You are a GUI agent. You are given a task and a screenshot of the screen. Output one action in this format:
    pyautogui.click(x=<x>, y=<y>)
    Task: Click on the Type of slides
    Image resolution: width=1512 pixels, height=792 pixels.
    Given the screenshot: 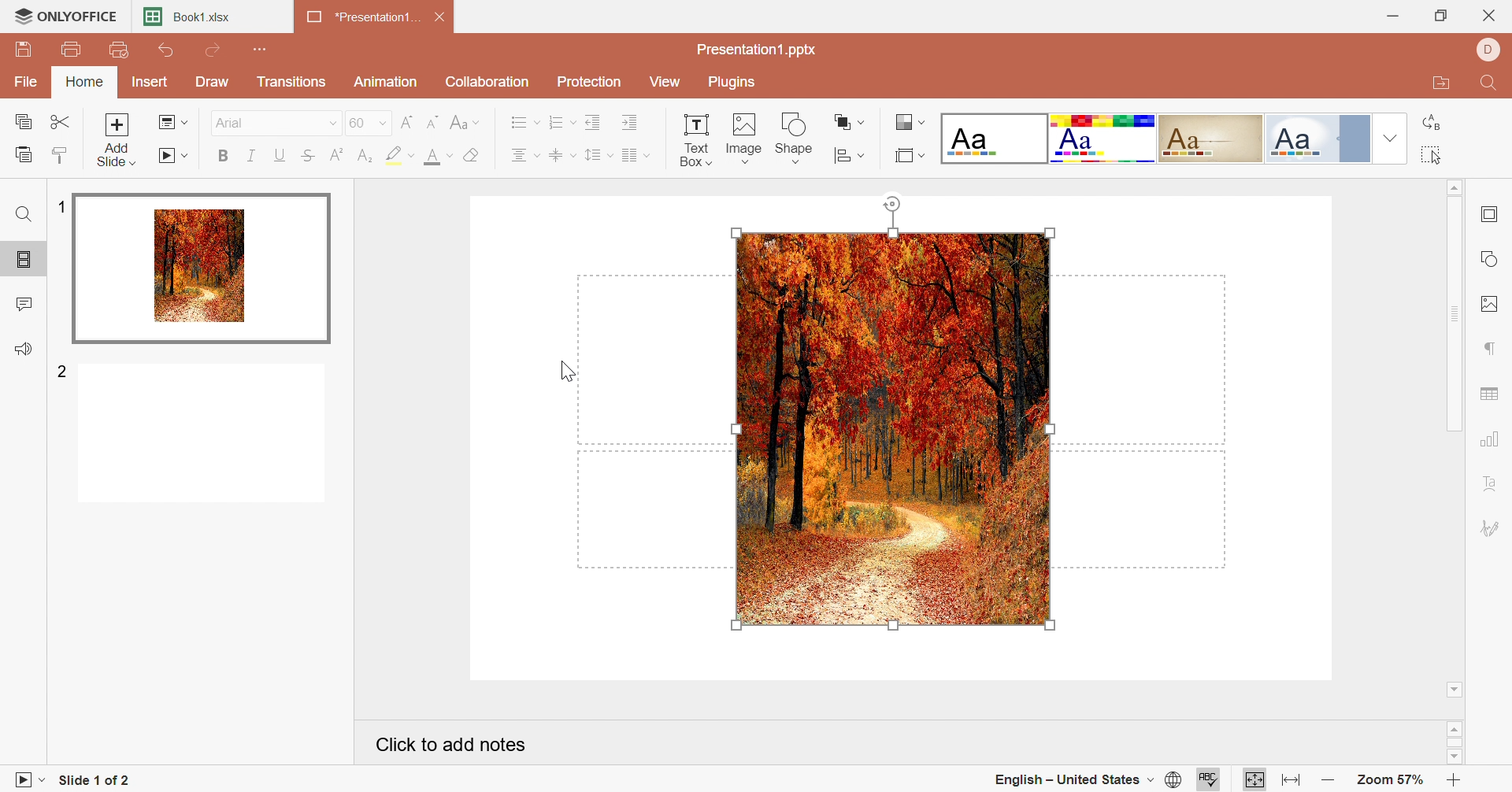 What is the action you would take?
    pyautogui.click(x=1152, y=138)
    